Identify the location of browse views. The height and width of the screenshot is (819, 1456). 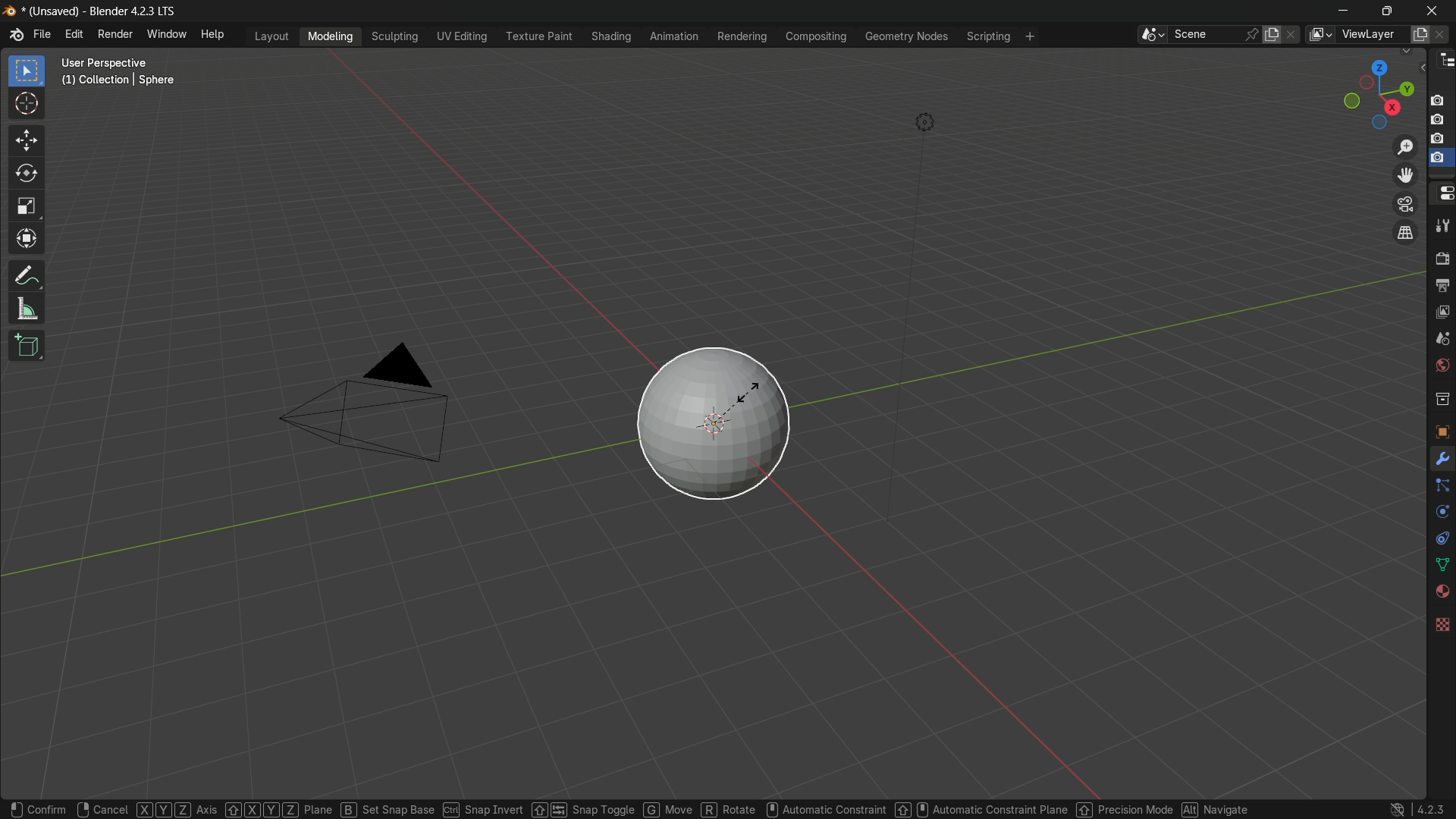
(1319, 34).